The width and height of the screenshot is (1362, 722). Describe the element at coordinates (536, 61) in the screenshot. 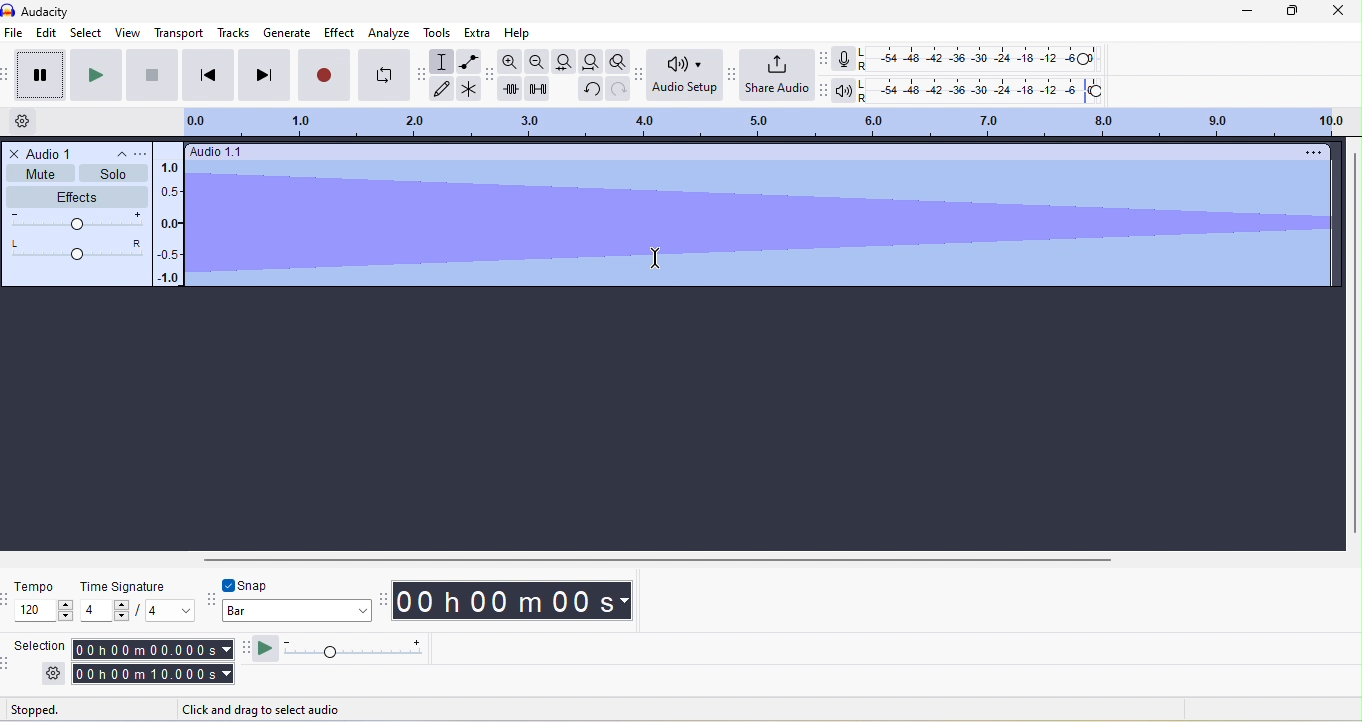

I see `zoom out` at that location.